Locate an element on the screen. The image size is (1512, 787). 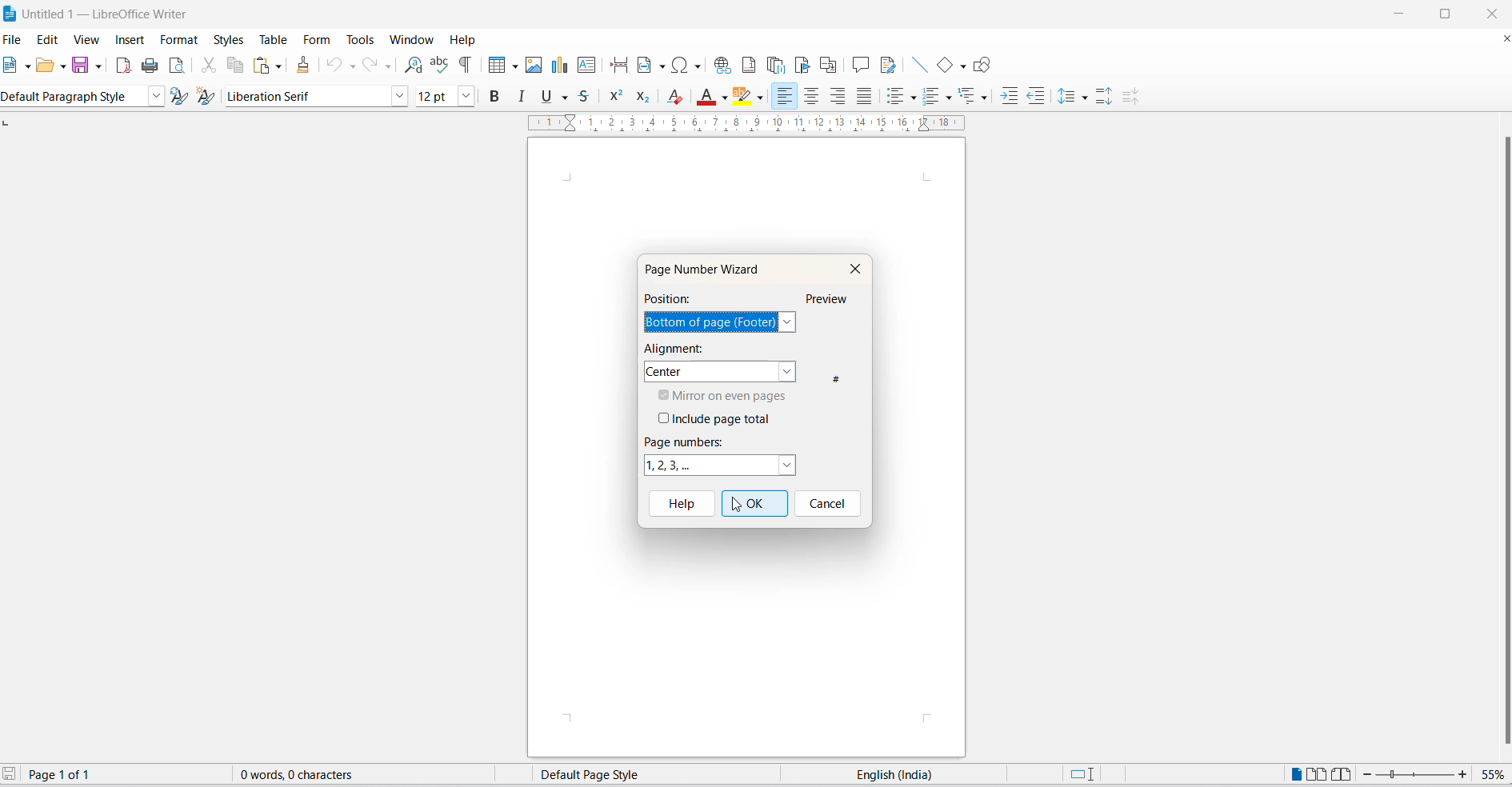
open options is located at coordinates (63, 67).